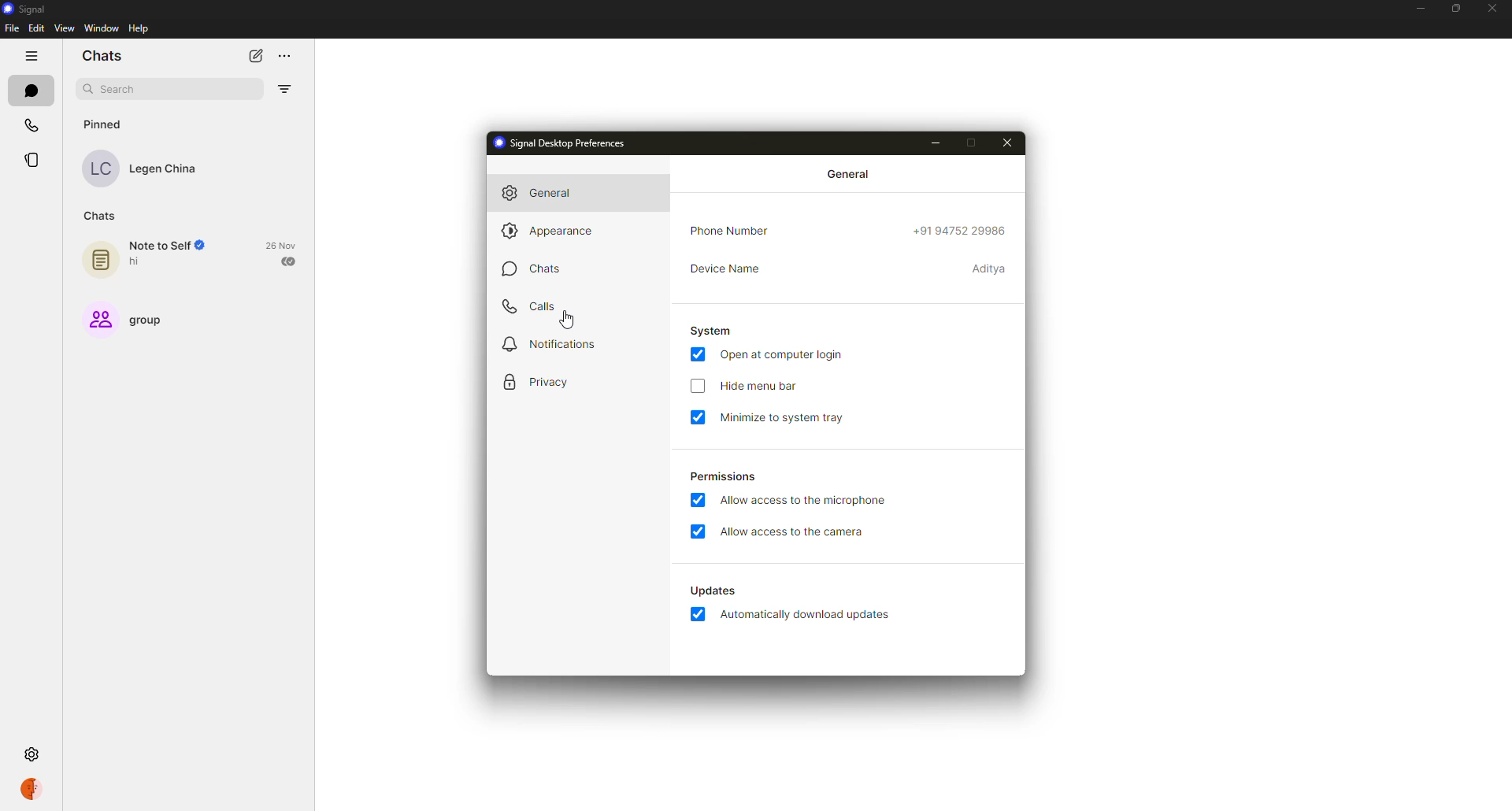 This screenshot has height=811, width=1512. Describe the element at coordinates (795, 532) in the screenshot. I see `allow access to camera` at that location.